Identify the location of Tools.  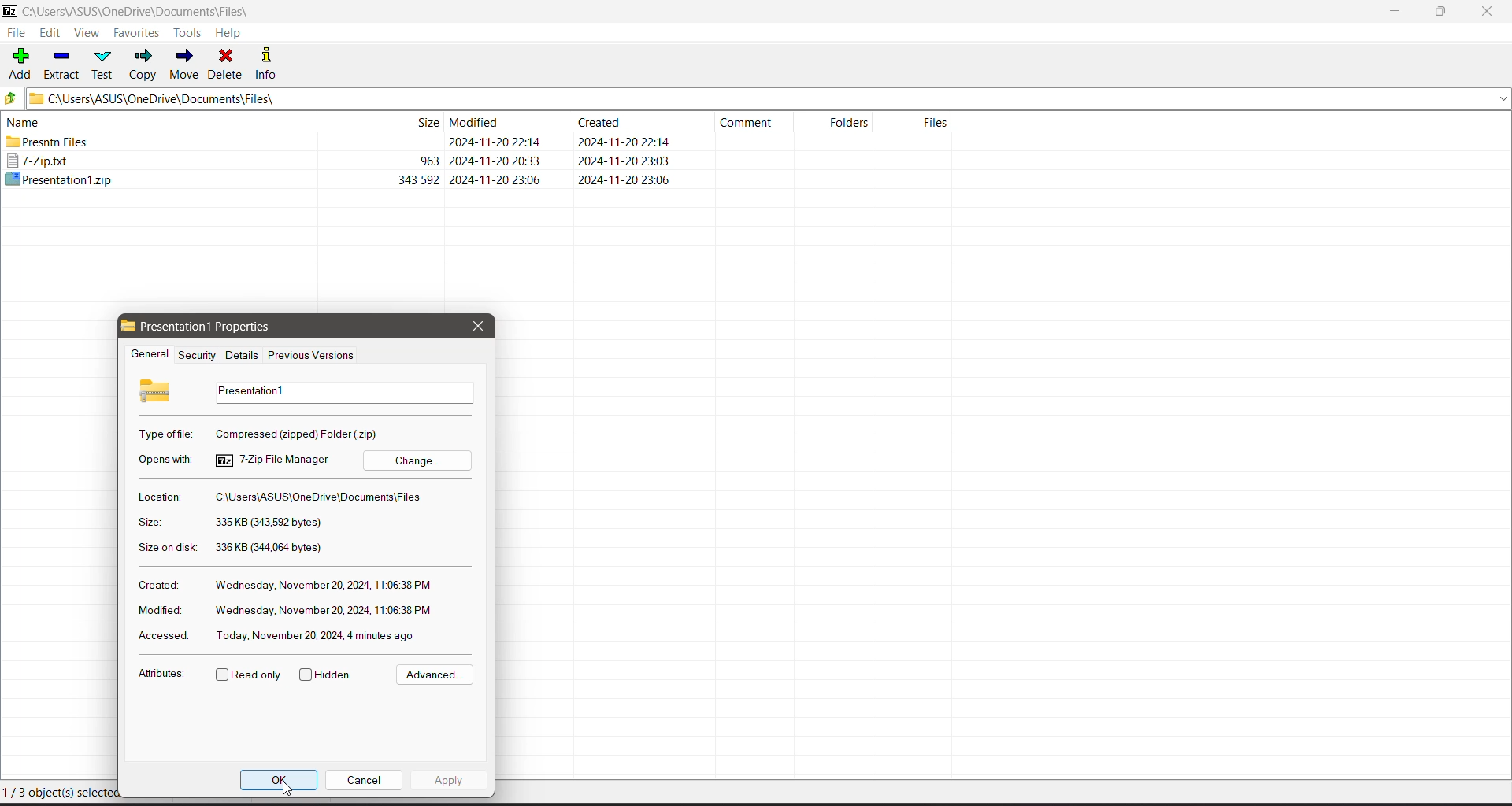
(190, 32).